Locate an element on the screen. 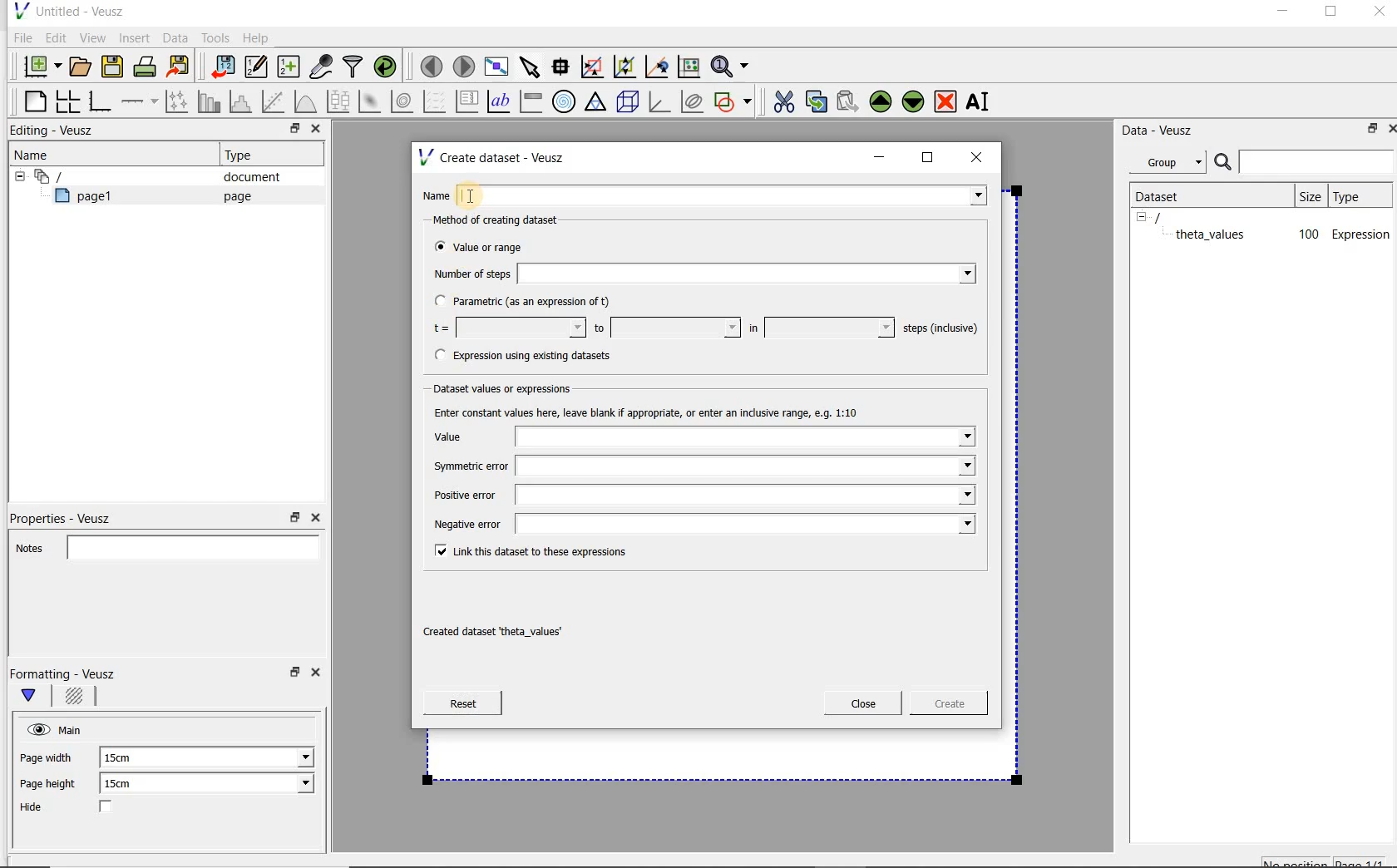 The image size is (1397, 868). Number of steps is located at coordinates (699, 274).